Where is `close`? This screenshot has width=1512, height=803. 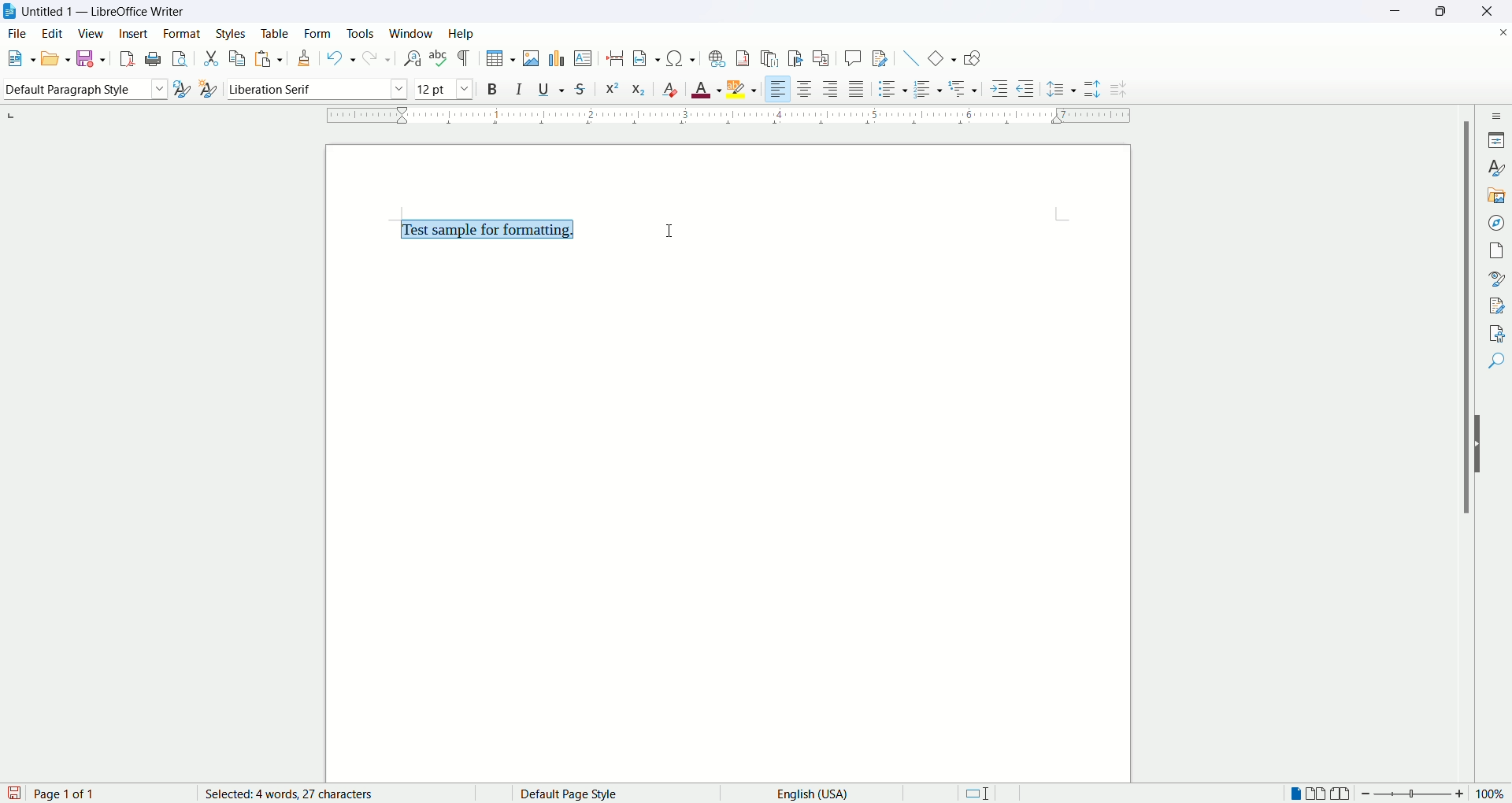
close is located at coordinates (1485, 11).